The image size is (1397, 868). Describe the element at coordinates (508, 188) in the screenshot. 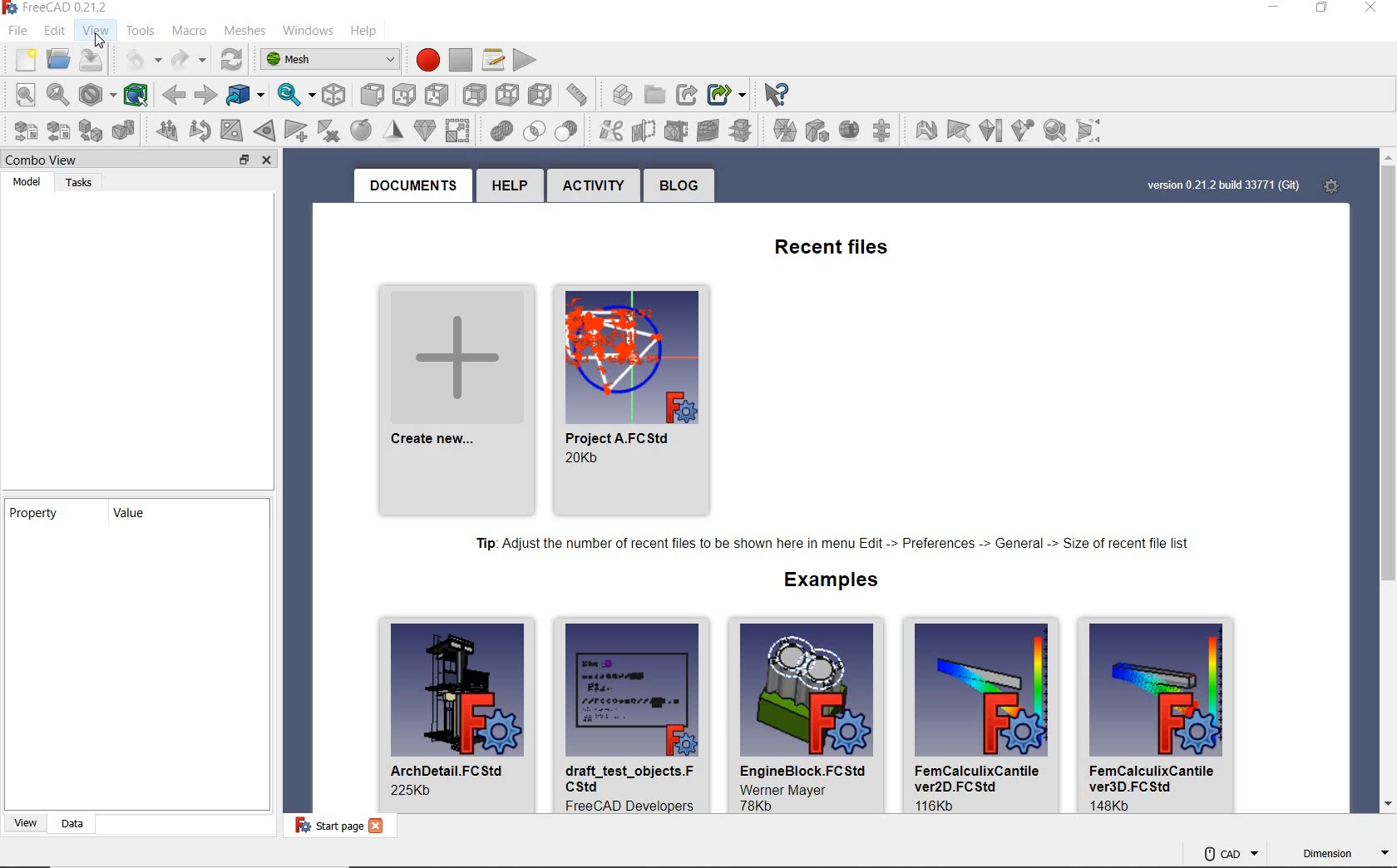

I see `help` at that location.